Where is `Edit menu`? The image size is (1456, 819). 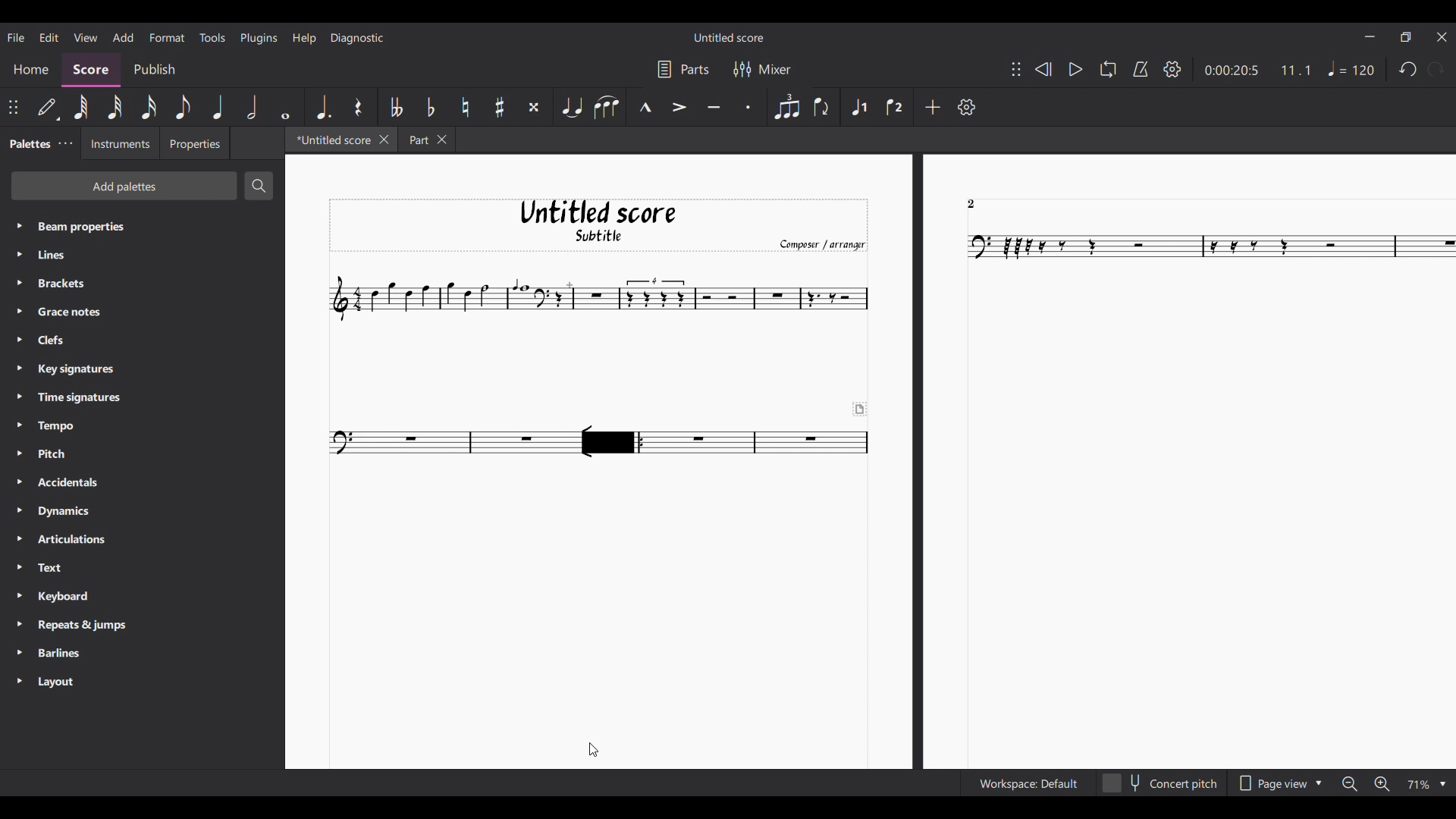 Edit menu is located at coordinates (50, 38).